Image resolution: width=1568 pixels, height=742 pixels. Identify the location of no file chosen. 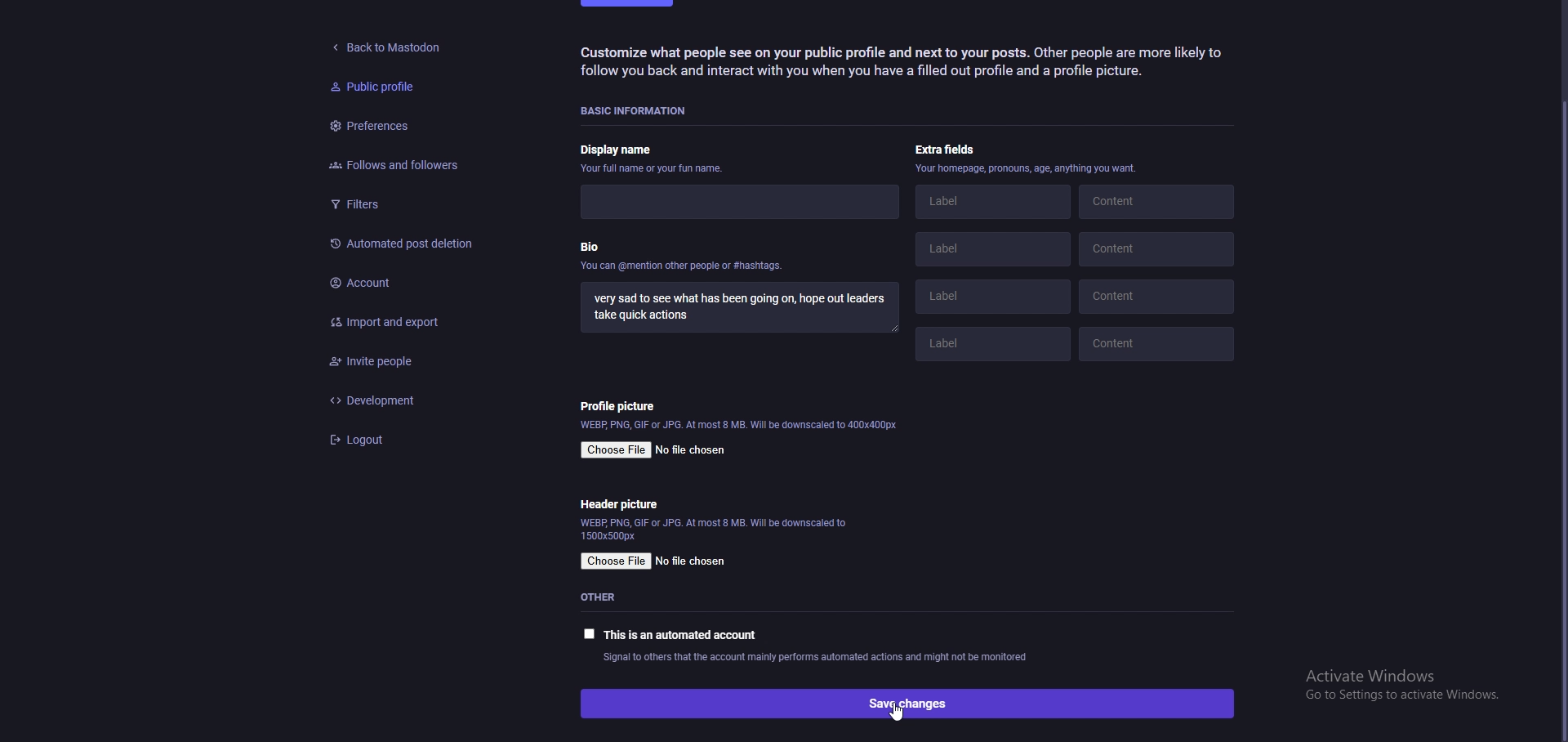
(693, 449).